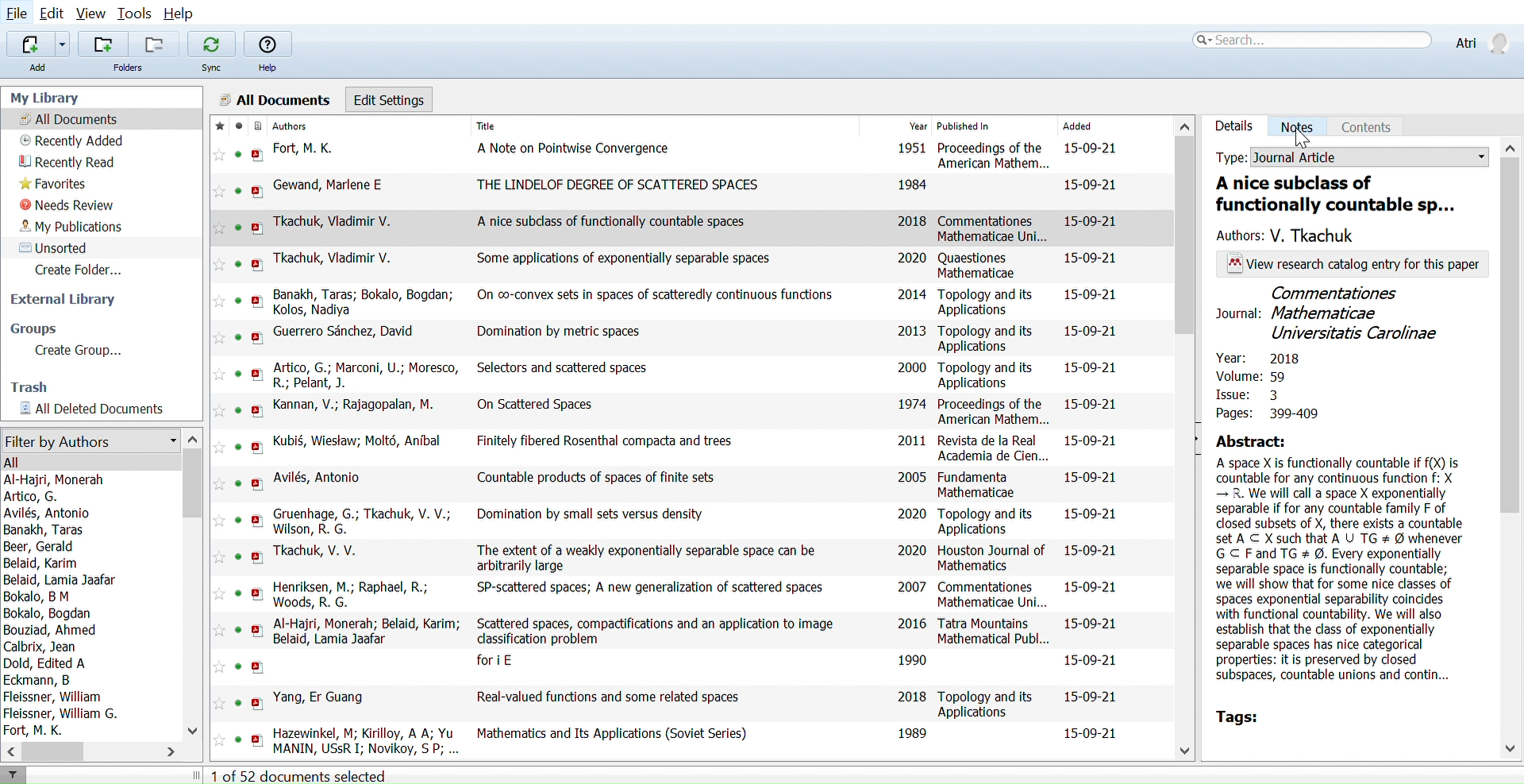  Describe the element at coordinates (996, 411) in the screenshot. I see `Proceedings of the American Mathem...` at that location.